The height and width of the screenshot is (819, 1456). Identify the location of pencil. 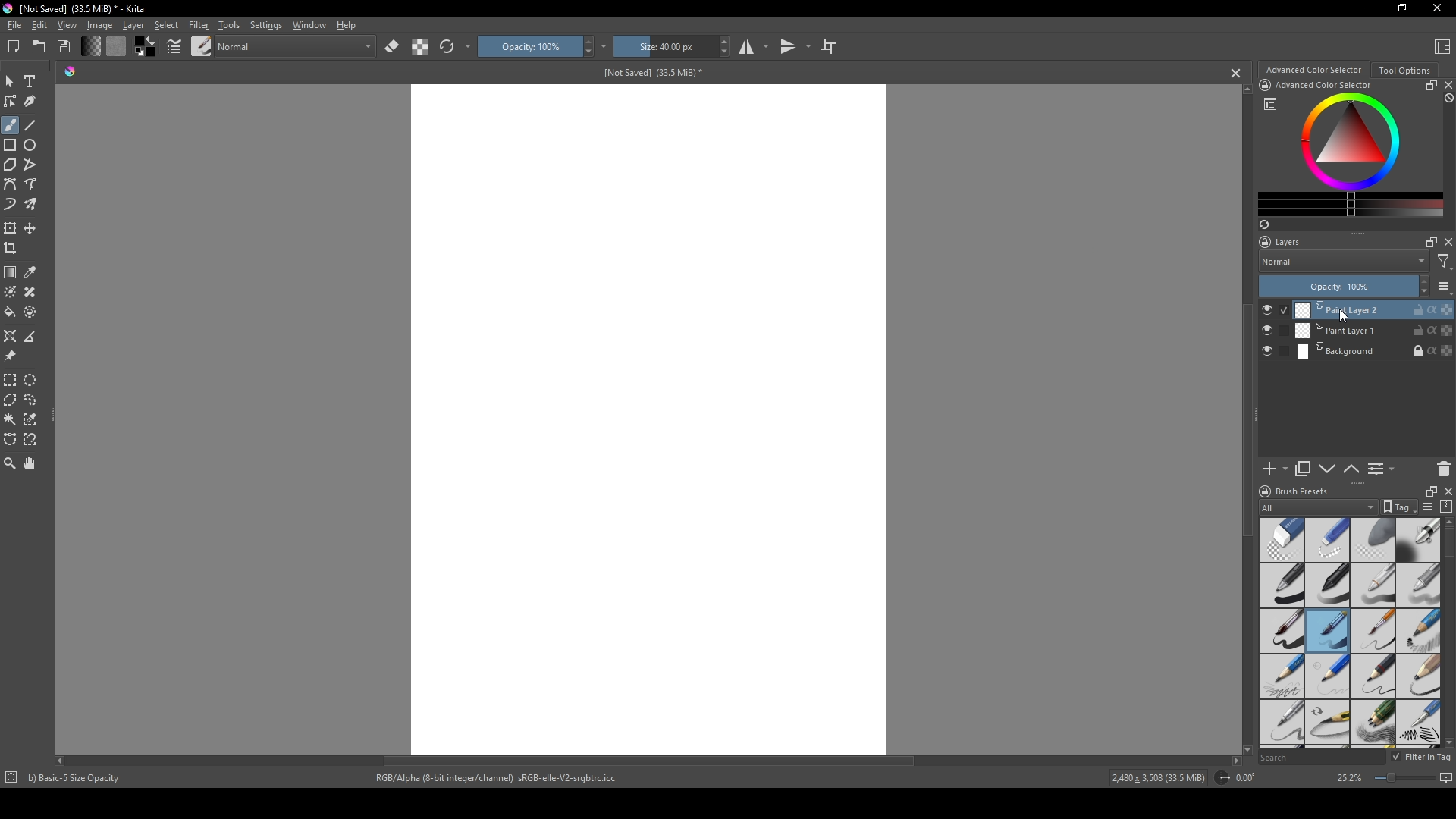
(1419, 632).